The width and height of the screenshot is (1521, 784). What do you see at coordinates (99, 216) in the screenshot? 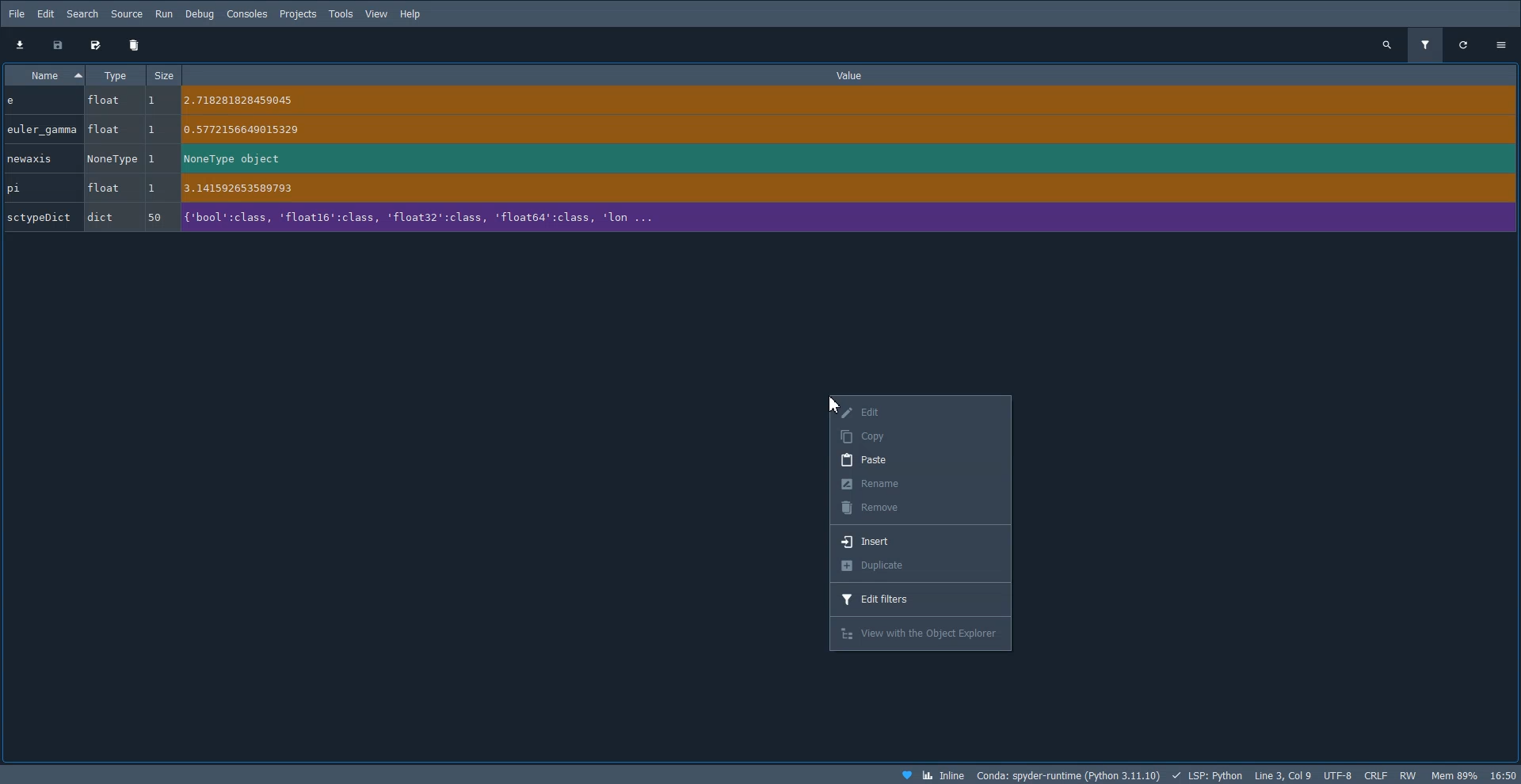
I see `dict` at bounding box center [99, 216].